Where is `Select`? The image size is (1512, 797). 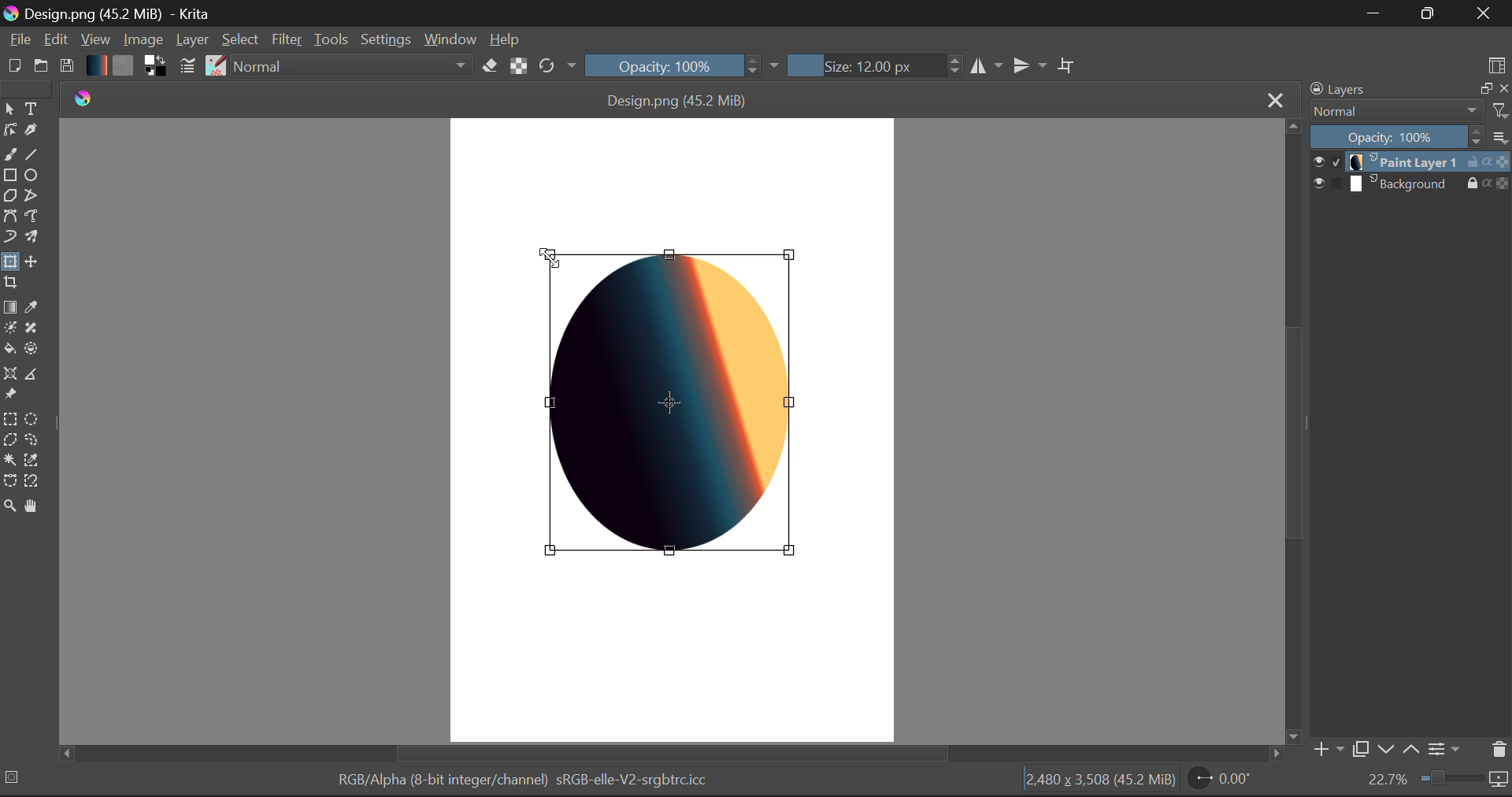 Select is located at coordinates (9, 108).